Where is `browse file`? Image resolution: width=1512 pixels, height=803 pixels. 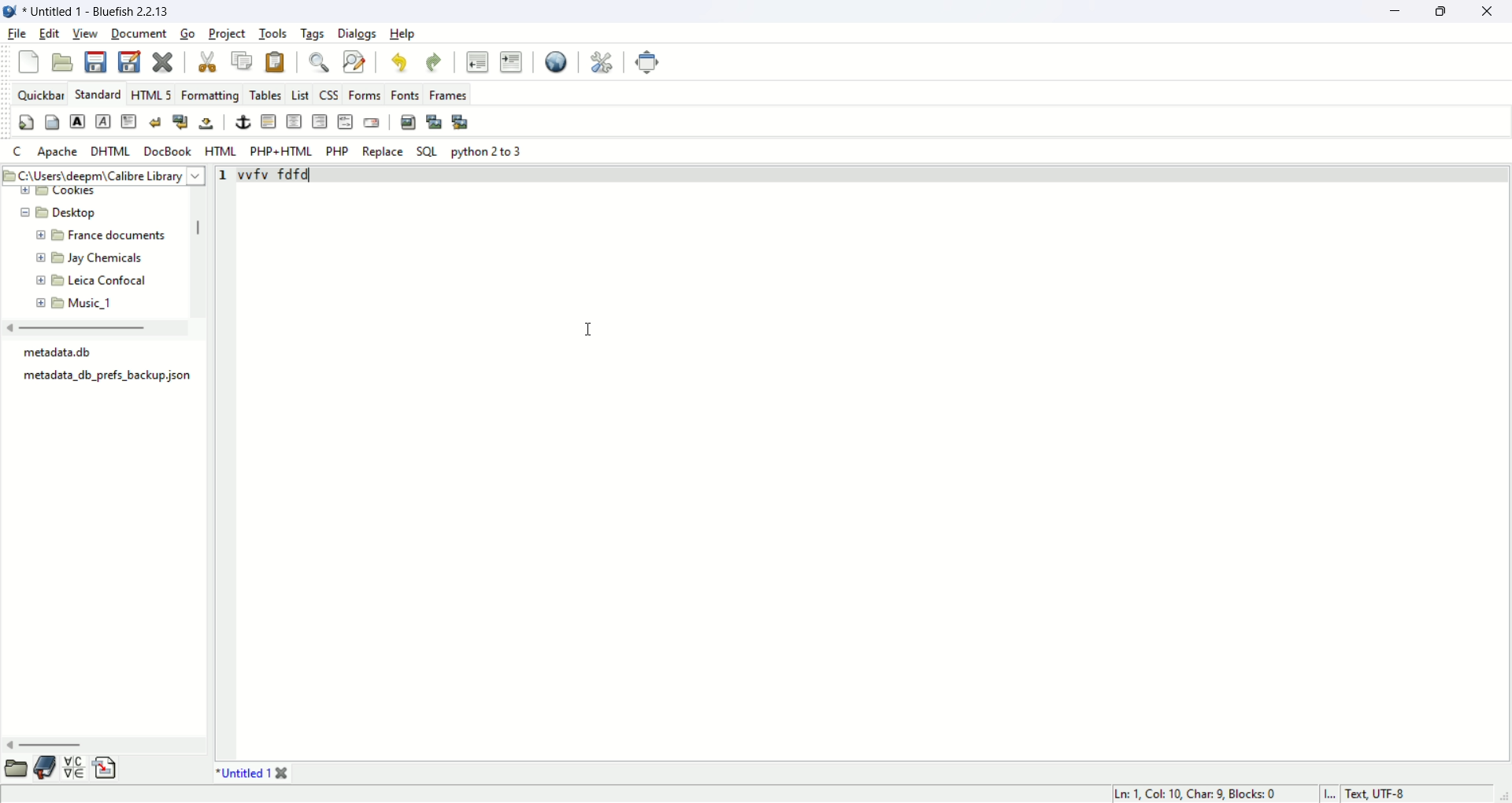 browse file is located at coordinates (17, 768).